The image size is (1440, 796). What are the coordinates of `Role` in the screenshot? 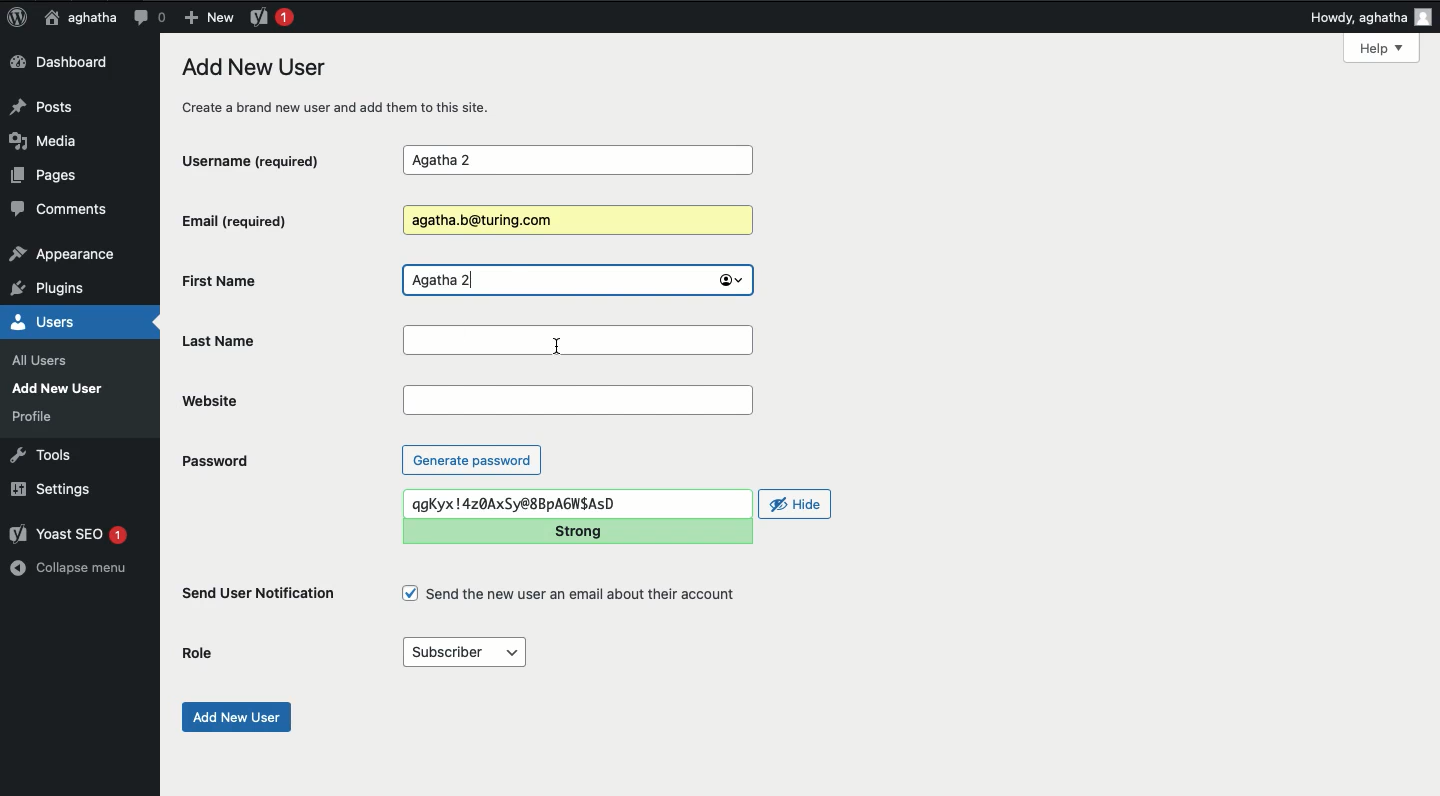 It's located at (198, 654).